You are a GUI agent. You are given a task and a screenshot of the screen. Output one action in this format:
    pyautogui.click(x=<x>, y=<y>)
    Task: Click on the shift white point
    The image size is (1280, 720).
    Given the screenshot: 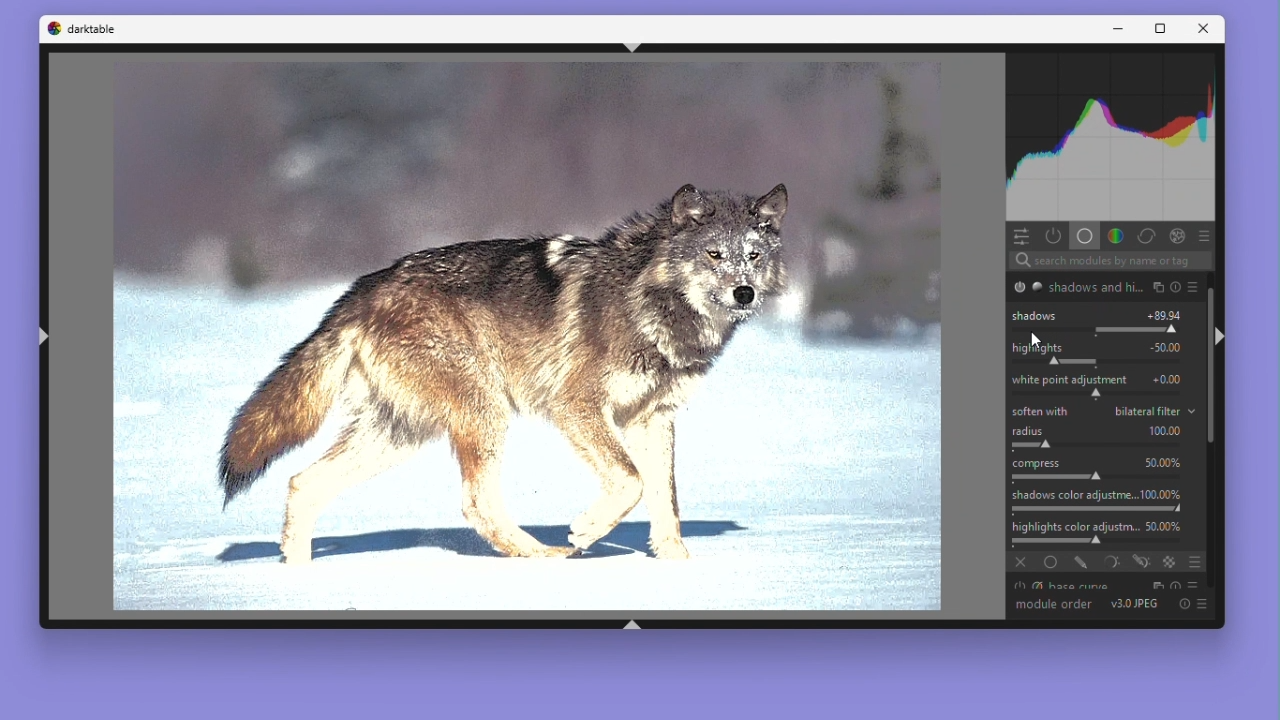 What is the action you would take?
    pyautogui.click(x=1095, y=395)
    